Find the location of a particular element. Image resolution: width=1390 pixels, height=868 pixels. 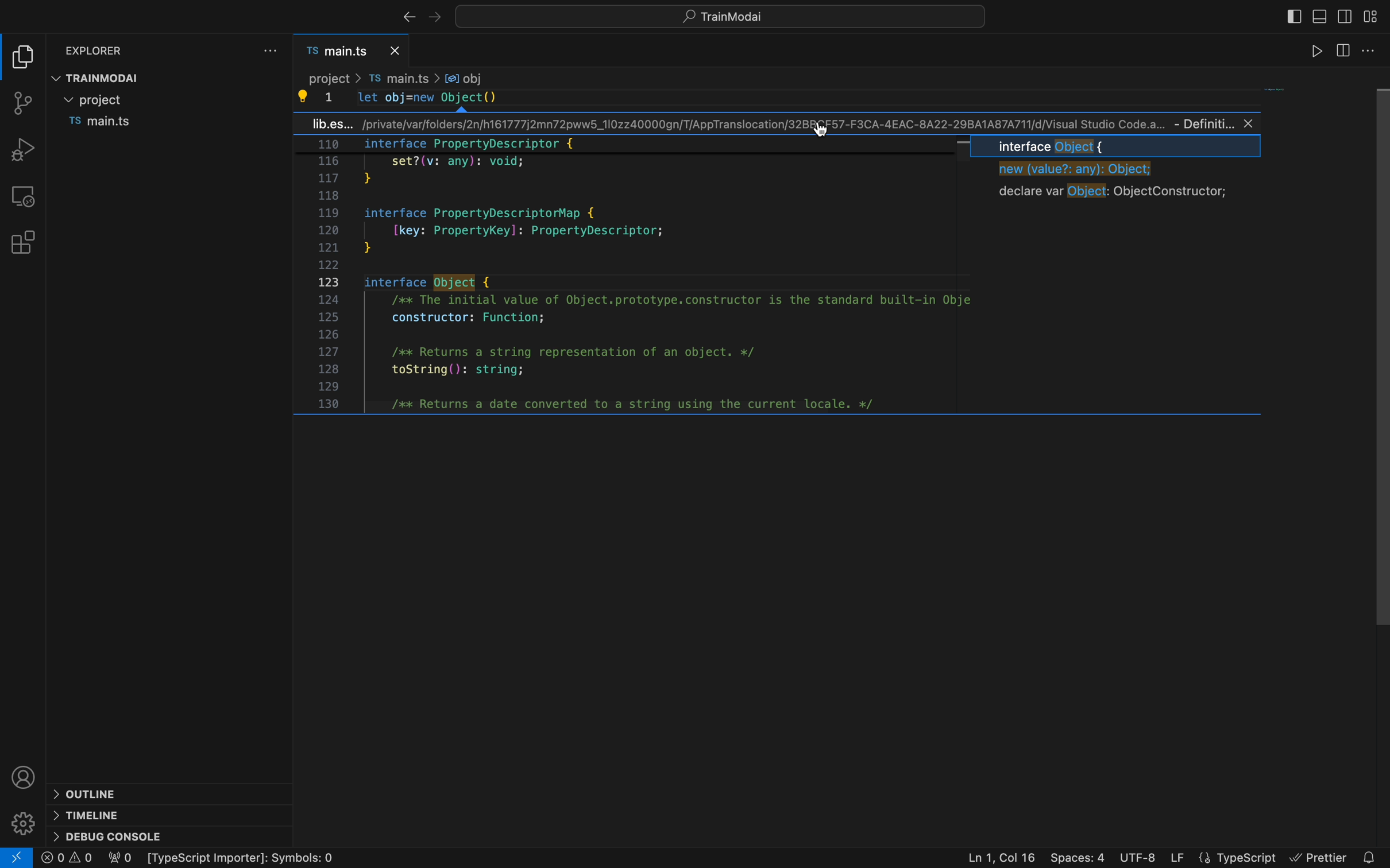

debug is located at coordinates (25, 149).